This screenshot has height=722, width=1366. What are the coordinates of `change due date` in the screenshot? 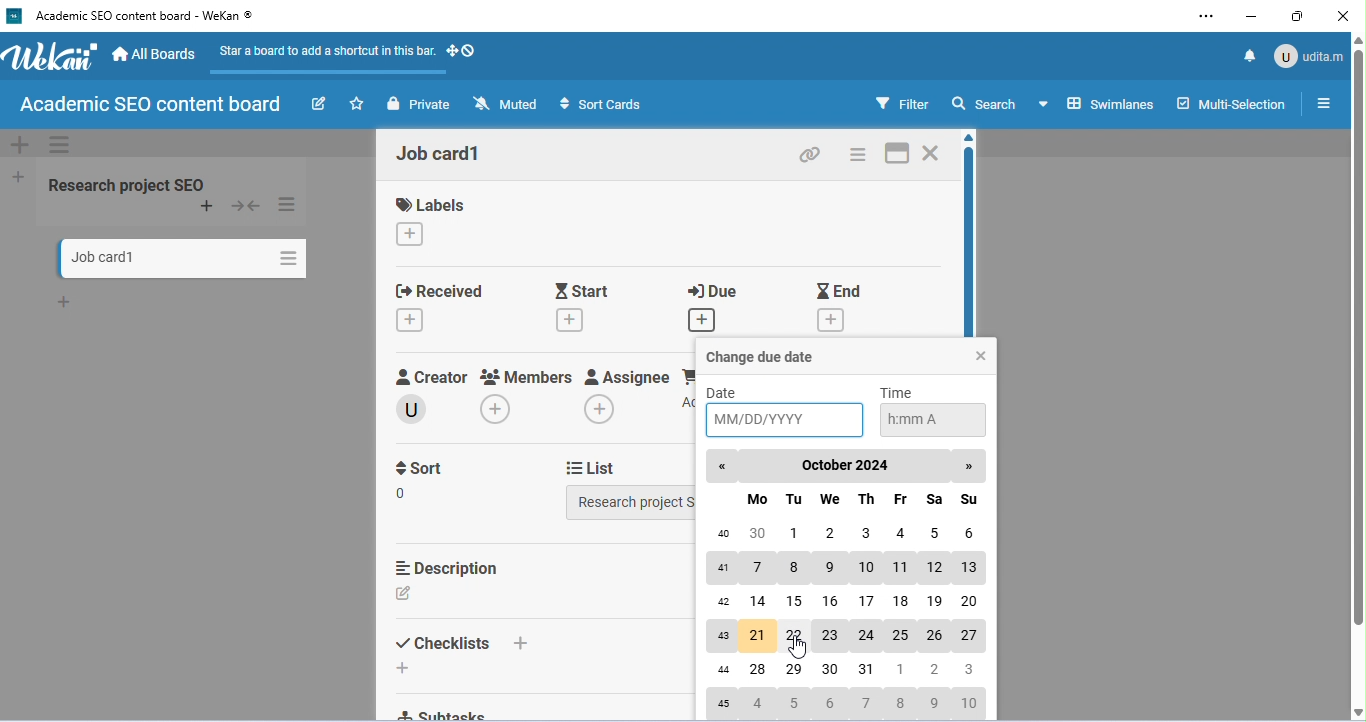 It's located at (762, 356).